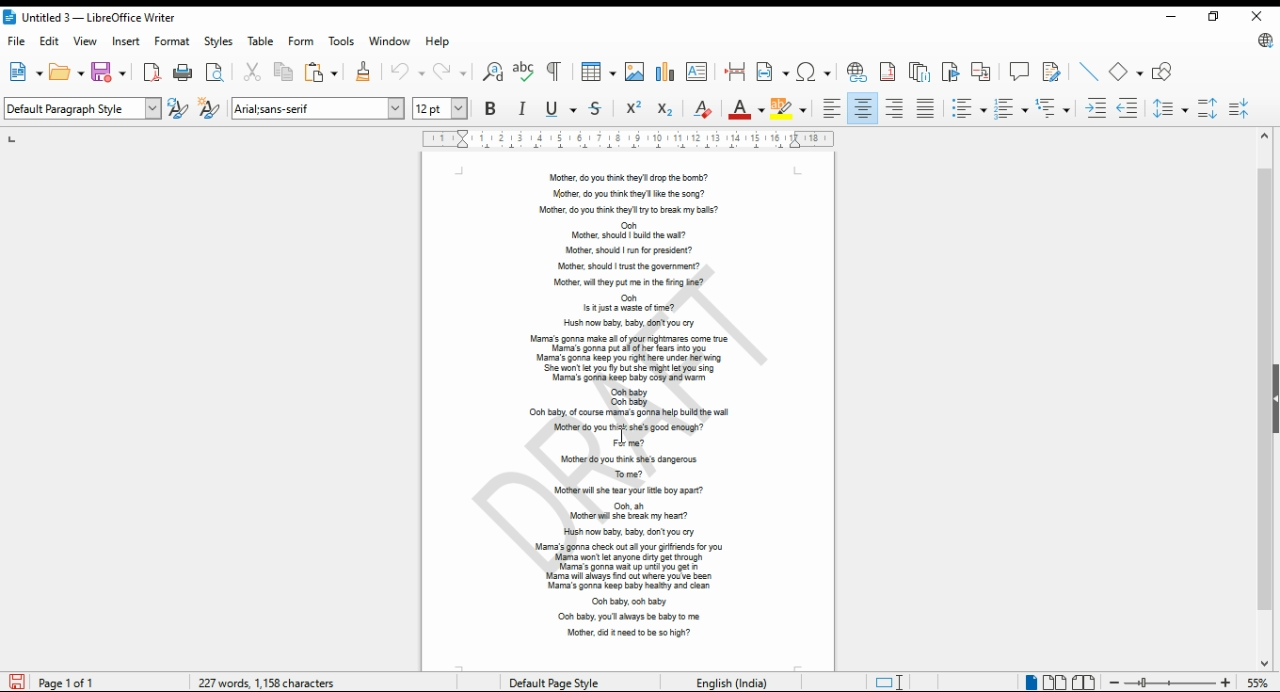 The width and height of the screenshot is (1280, 692). What do you see at coordinates (286, 72) in the screenshot?
I see `copy` at bounding box center [286, 72].